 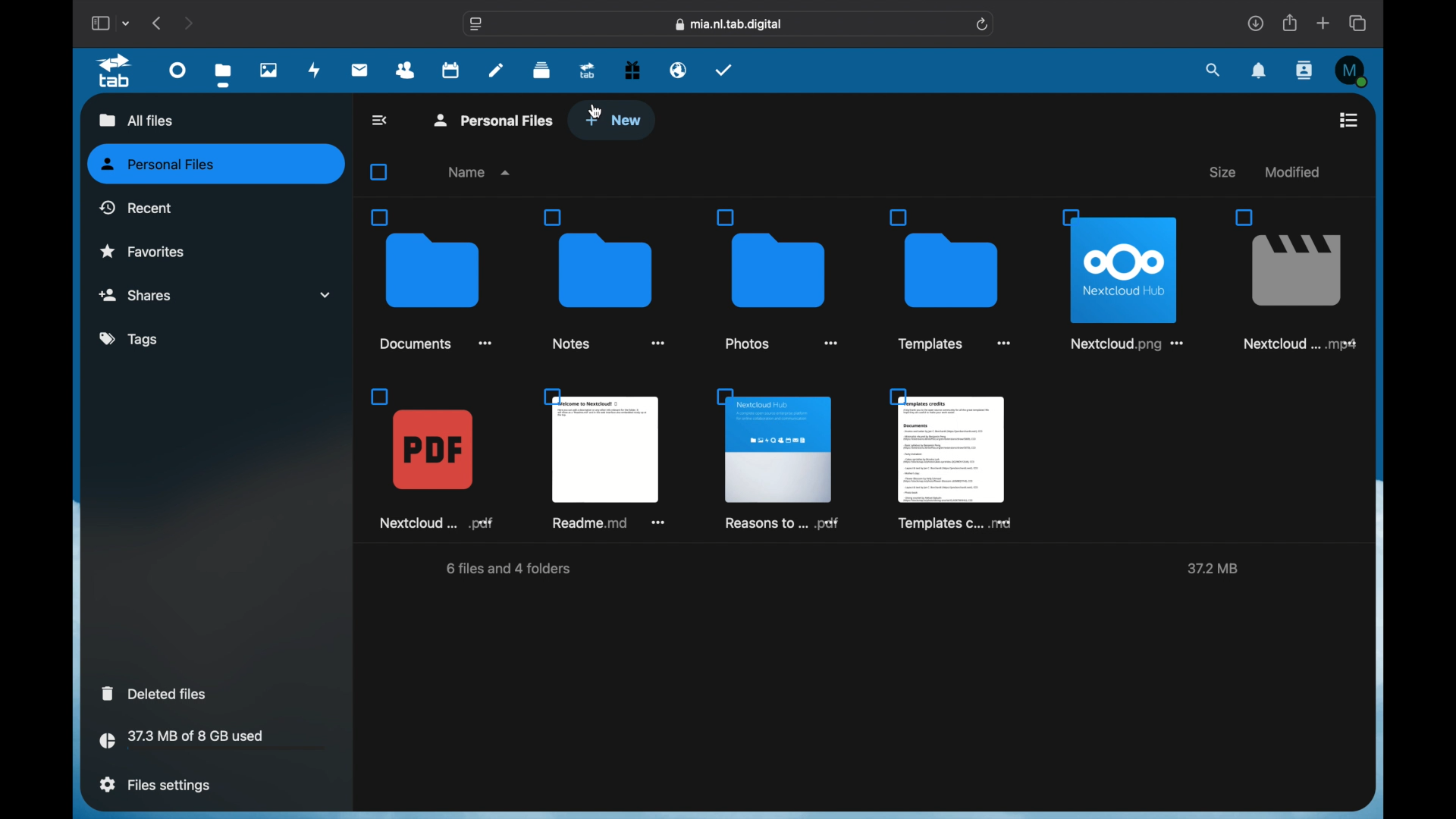 I want to click on contacts, so click(x=406, y=71).